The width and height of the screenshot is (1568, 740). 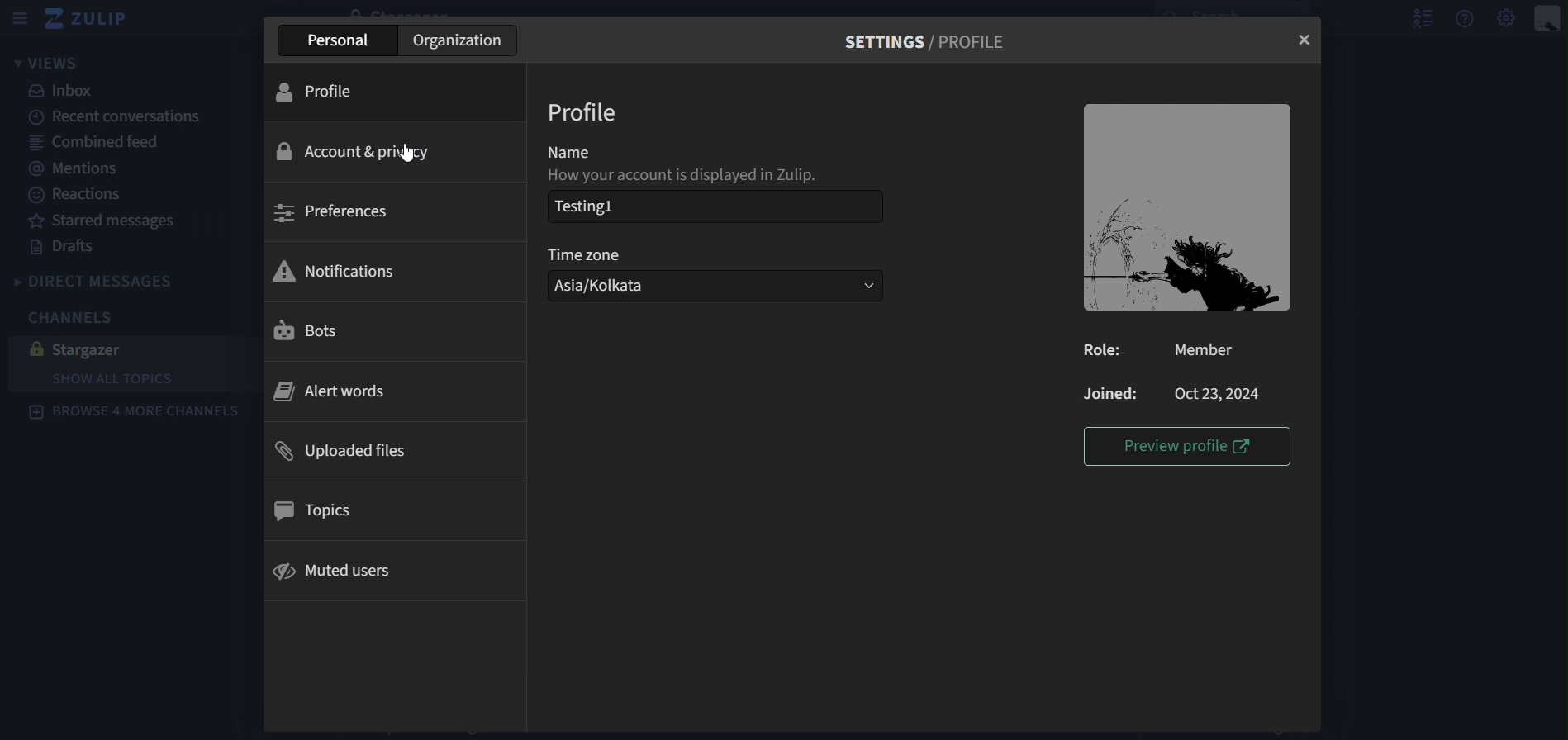 What do you see at coordinates (339, 572) in the screenshot?
I see `muted users` at bounding box center [339, 572].